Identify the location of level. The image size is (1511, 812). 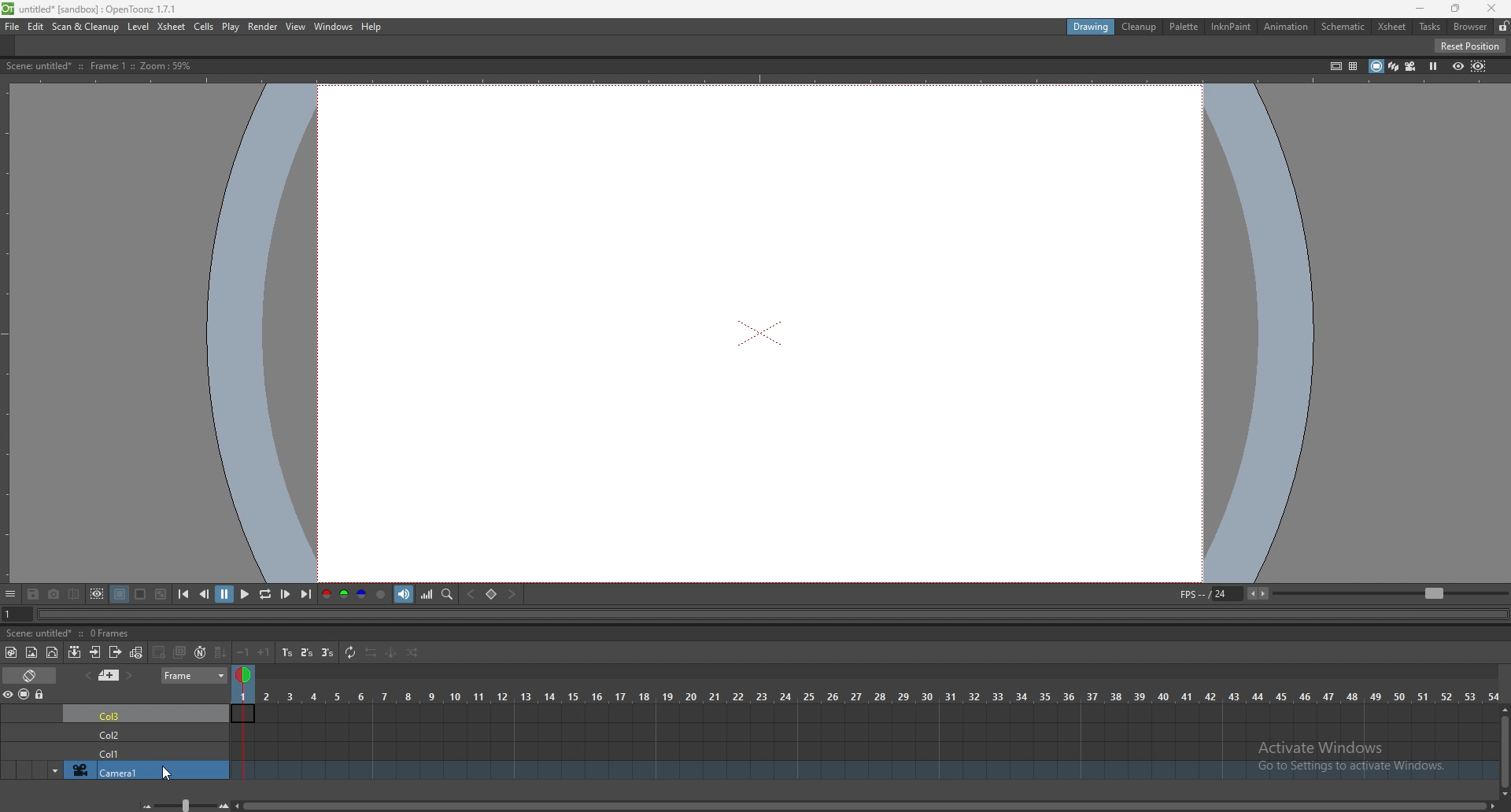
(139, 27).